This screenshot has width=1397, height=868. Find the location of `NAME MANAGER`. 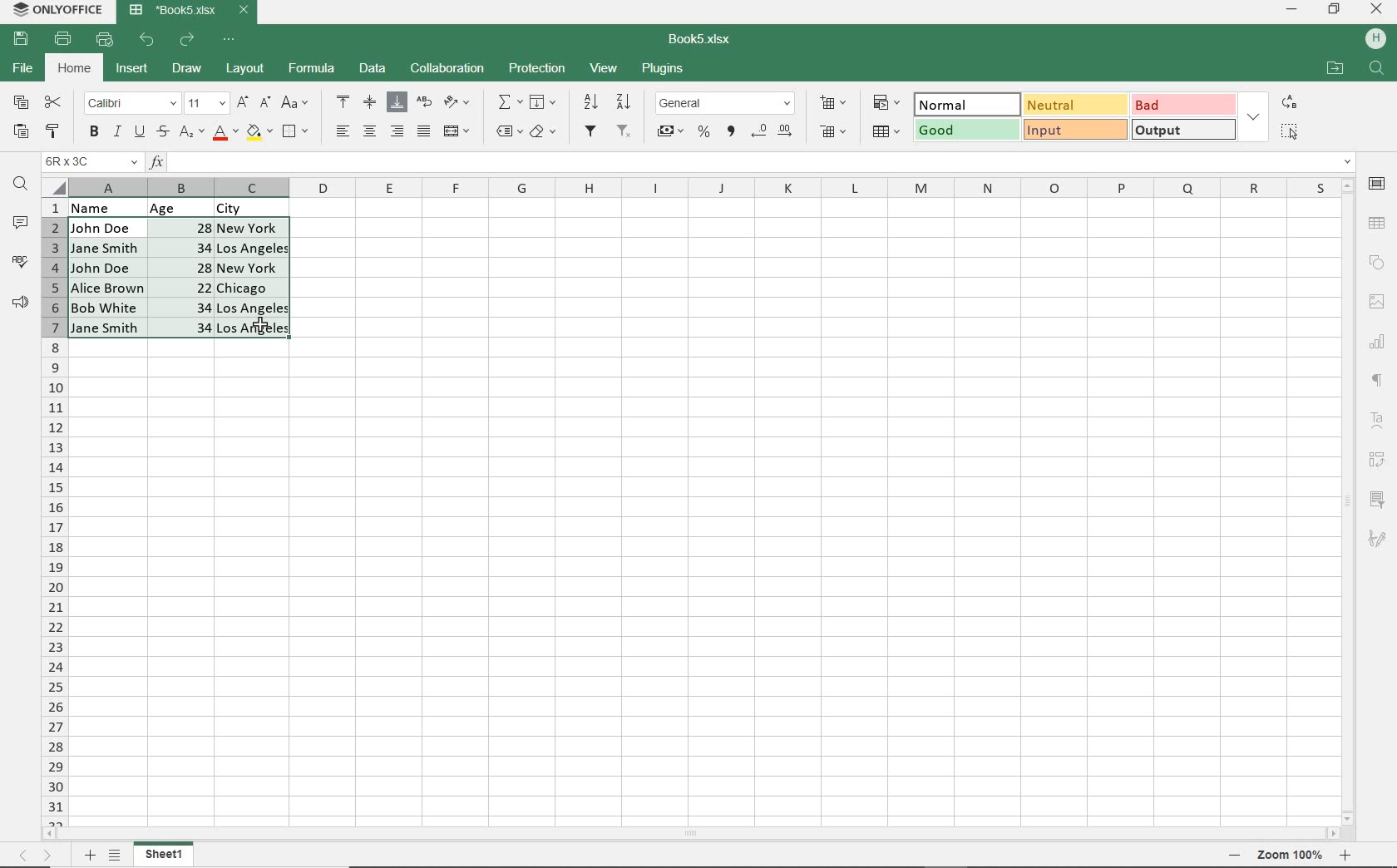

NAME MANAGER is located at coordinates (91, 162).